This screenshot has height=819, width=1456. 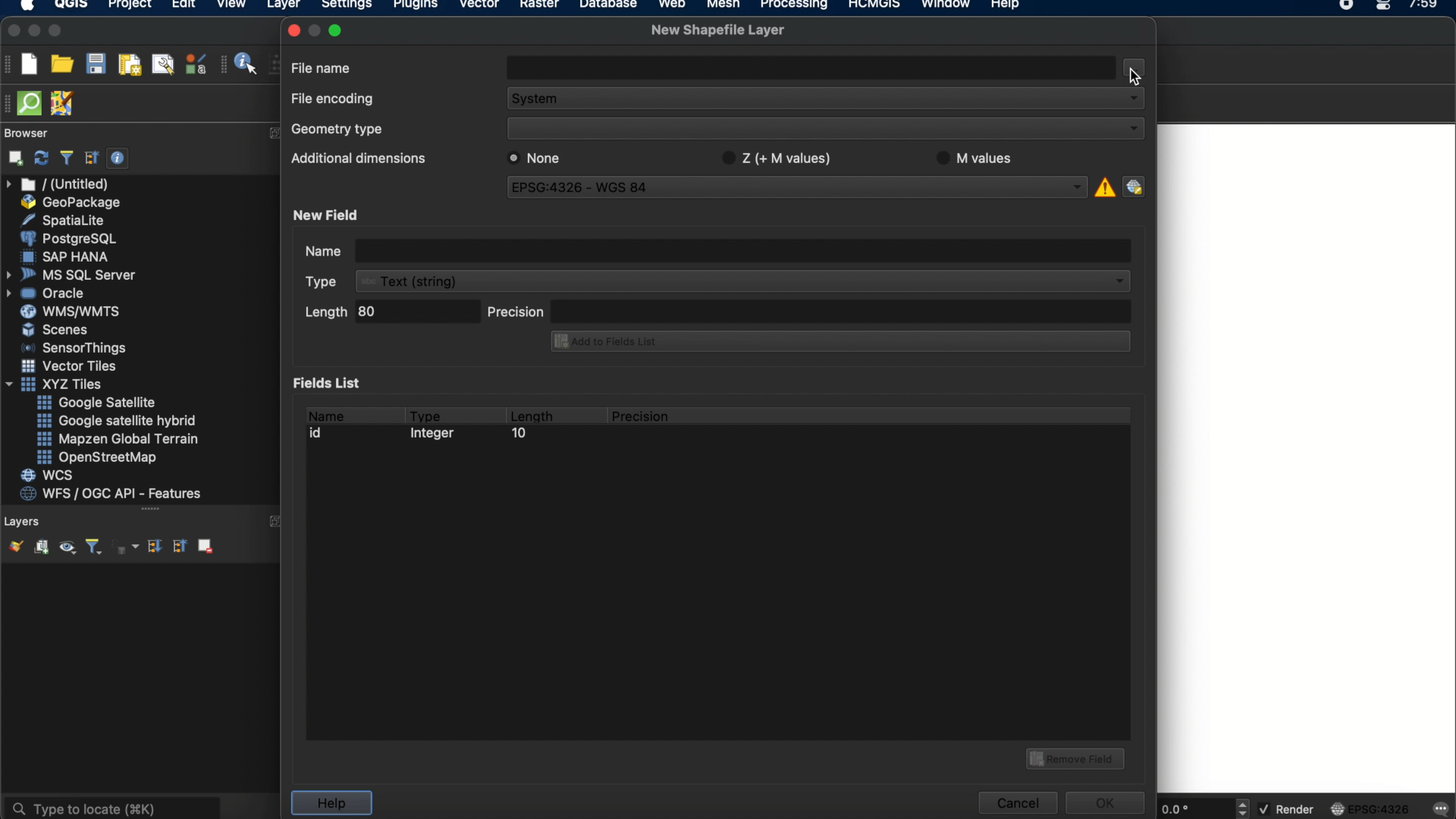 I want to click on collapse all, so click(x=178, y=545).